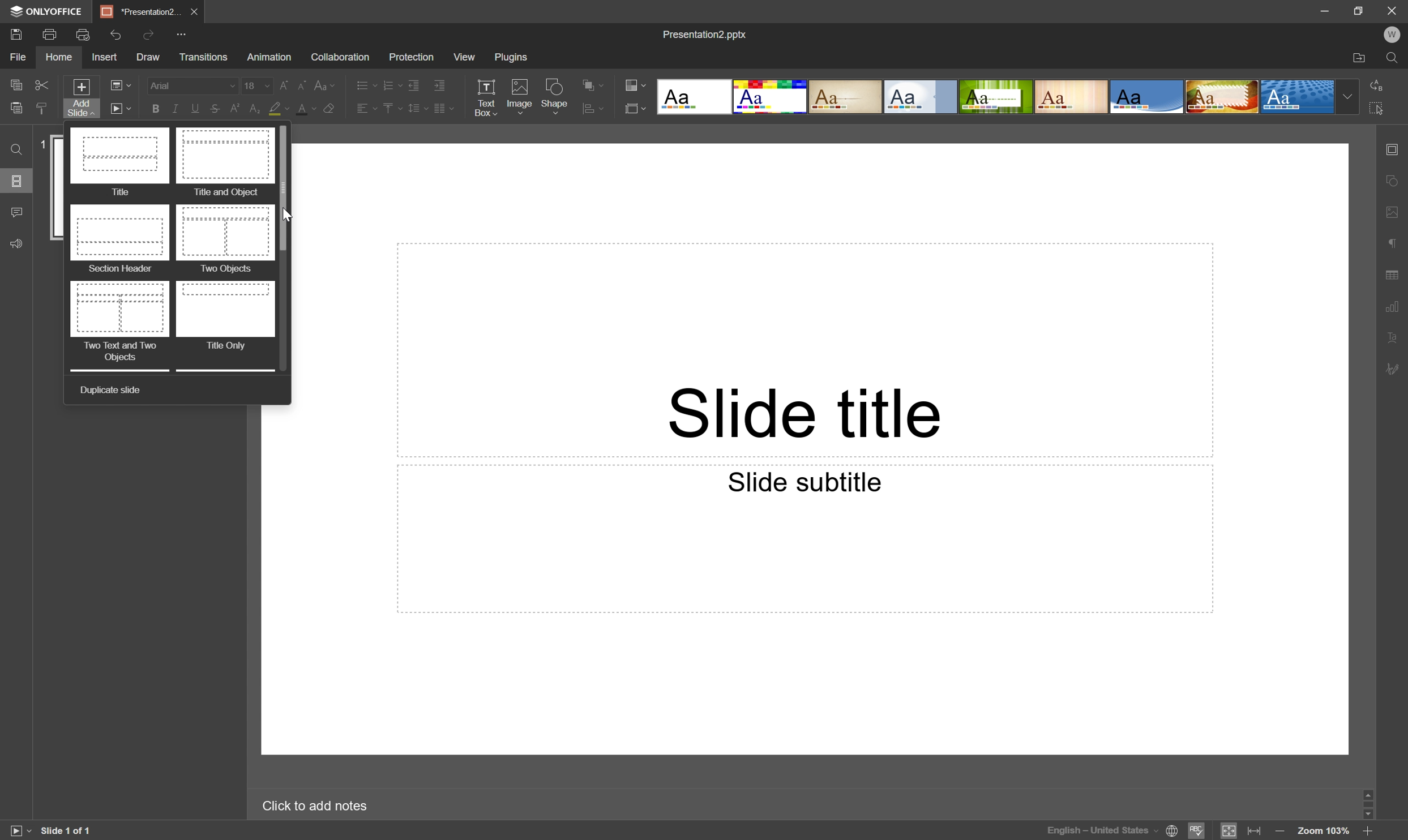 The width and height of the screenshot is (1408, 840). What do you see at coordinates (464, 57) in the screenshot?
I see `View` at bounding box center [464, 57].